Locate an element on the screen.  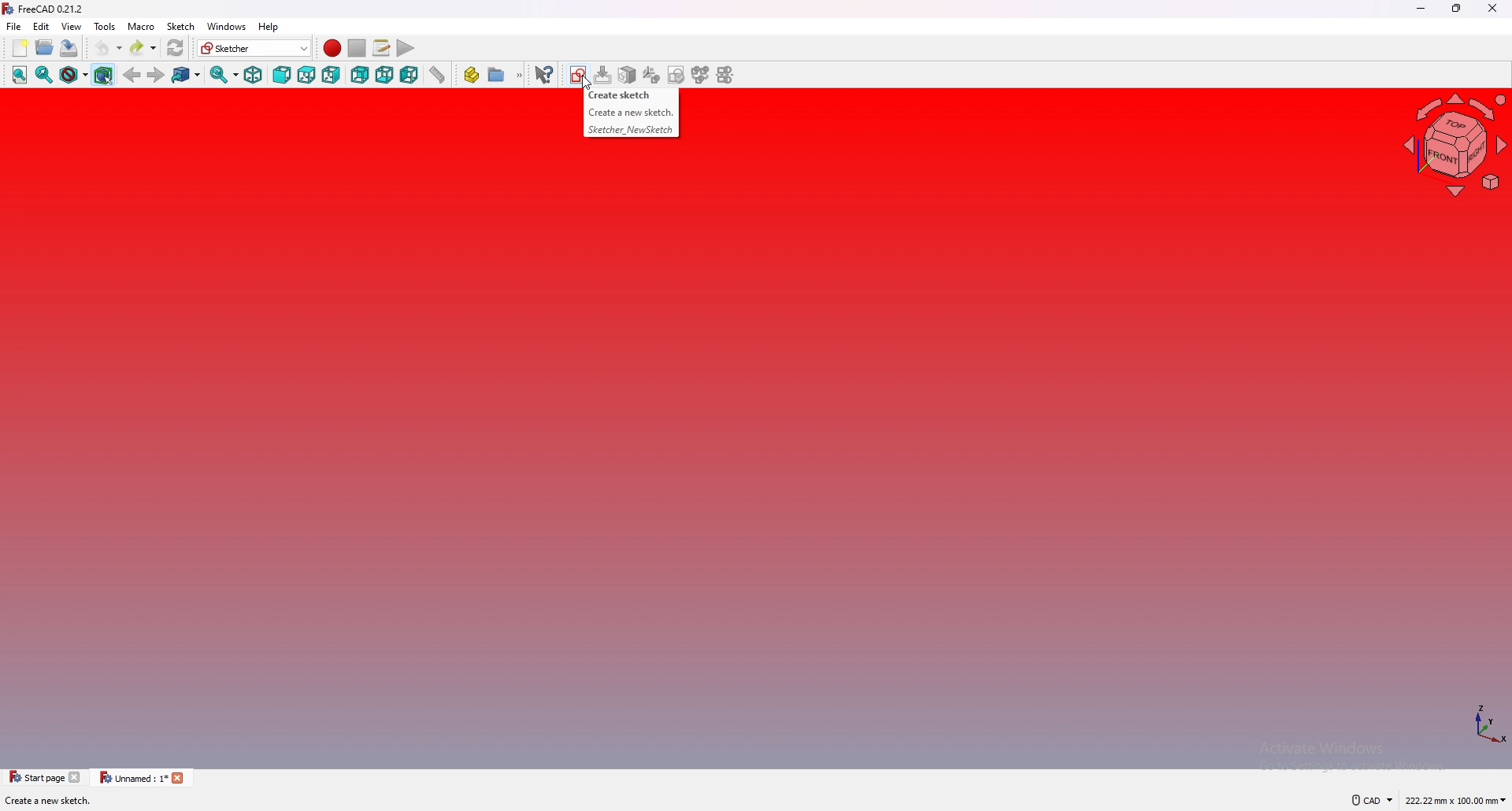
tools is located at coordinates (105, 26).